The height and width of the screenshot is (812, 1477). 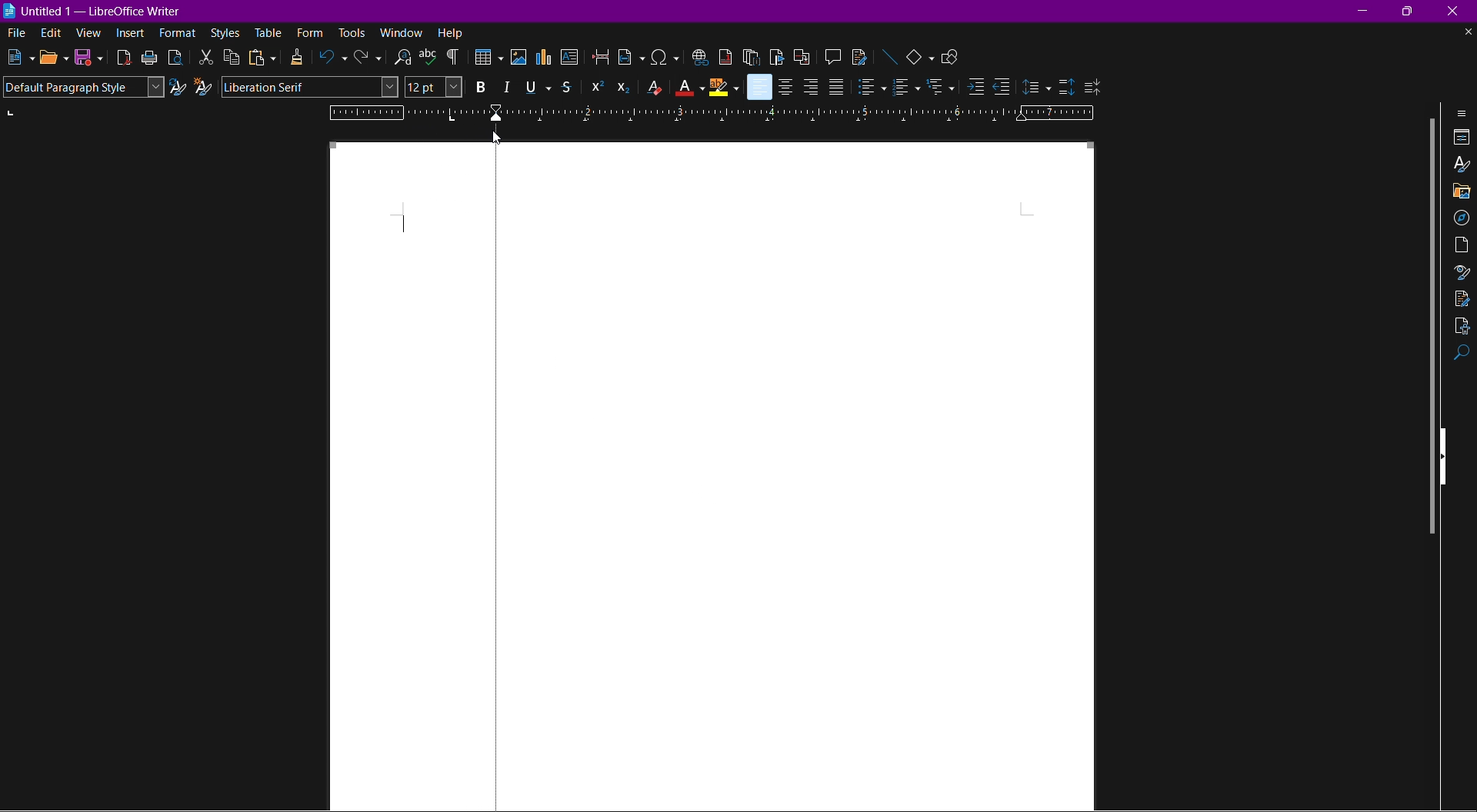 What do you see at coordinates (311, 32) in the screenshot?
I see `form` at bounding box center [311, 32].